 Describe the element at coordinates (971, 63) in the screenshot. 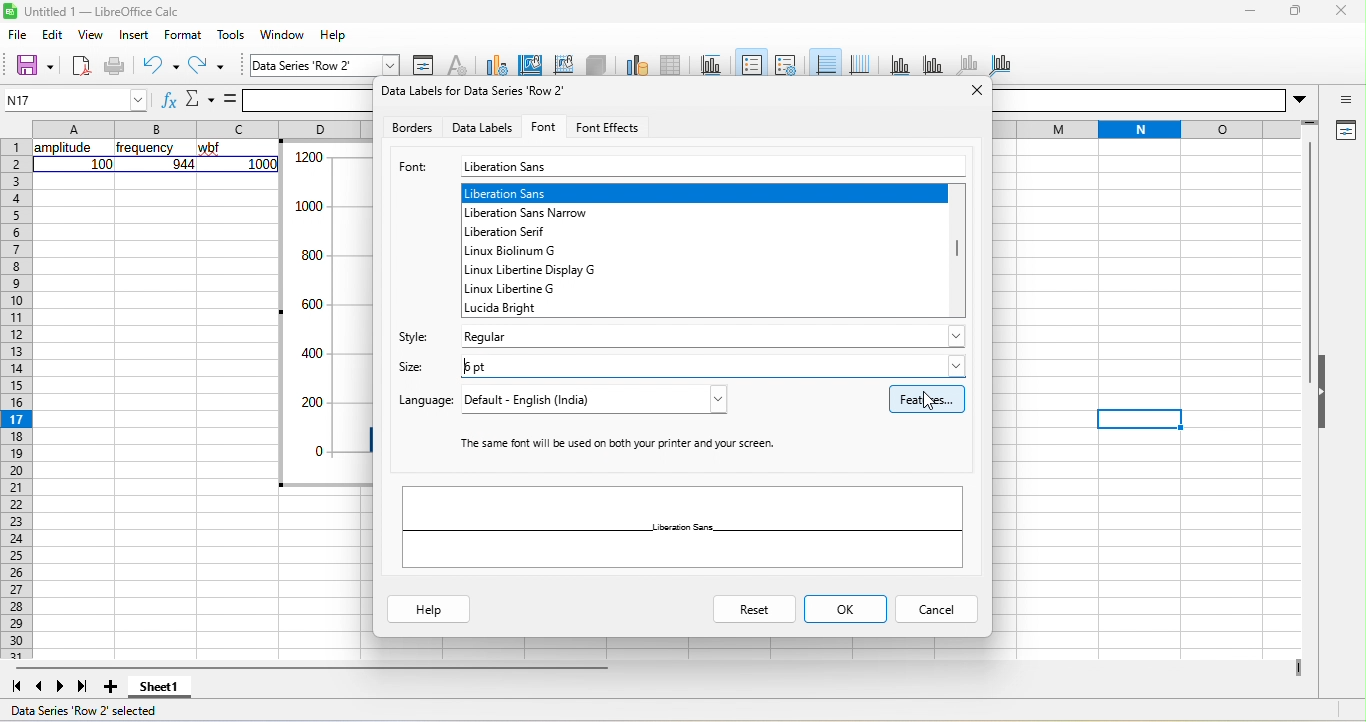

I see `z axis` at that location.